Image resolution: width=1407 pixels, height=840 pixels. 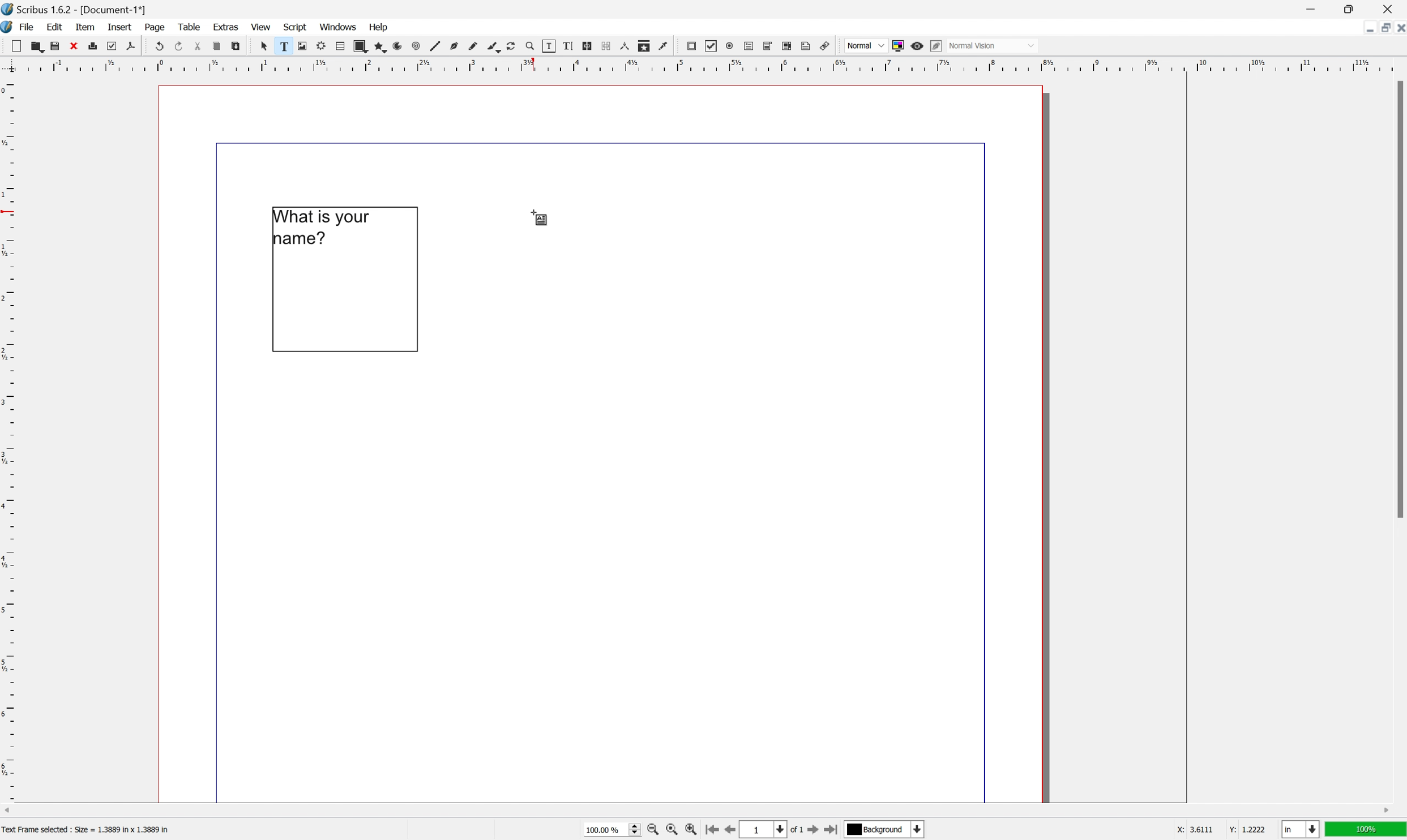 What do you see at coordinates (263, 46) in the screenshot?
I see `cursor` at bounding box center [263, 46].